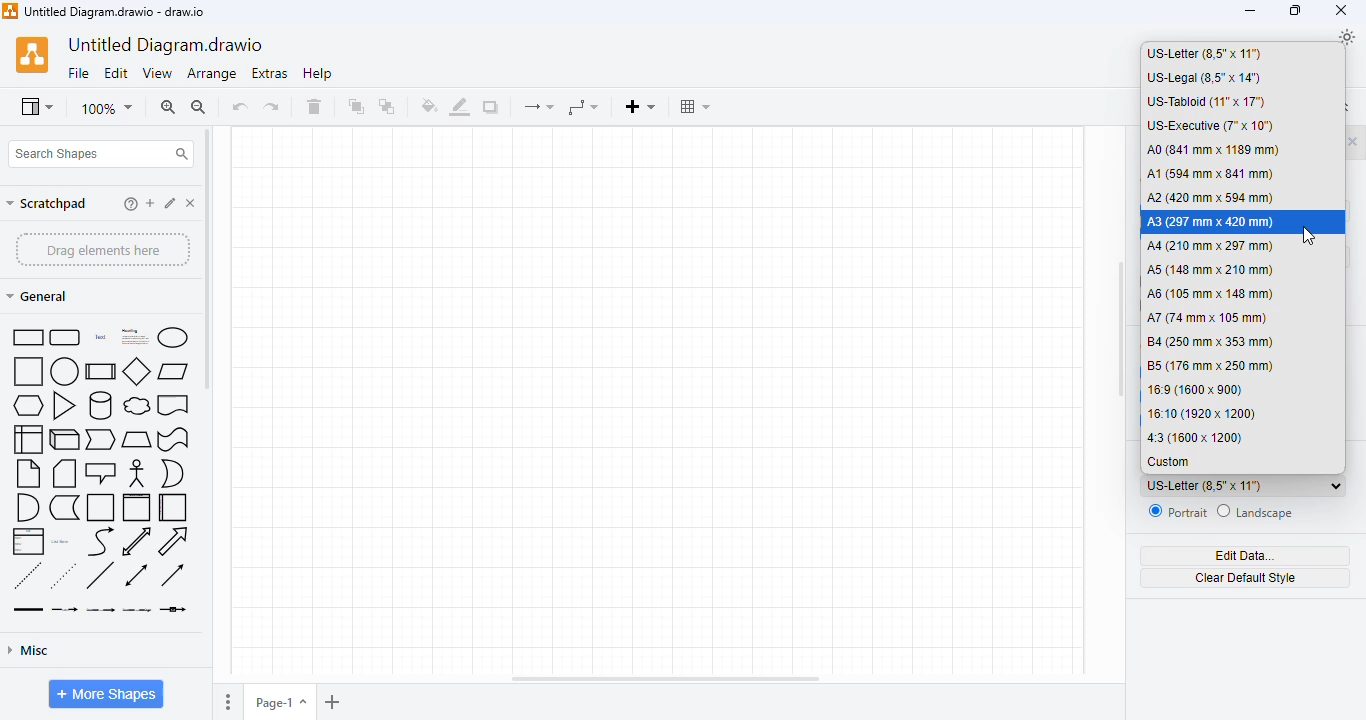 The width and height of the screenshot is (1366, 720). Describe the element at coordinates (1209, 341) in the screenshot. I see `B4` at that location.